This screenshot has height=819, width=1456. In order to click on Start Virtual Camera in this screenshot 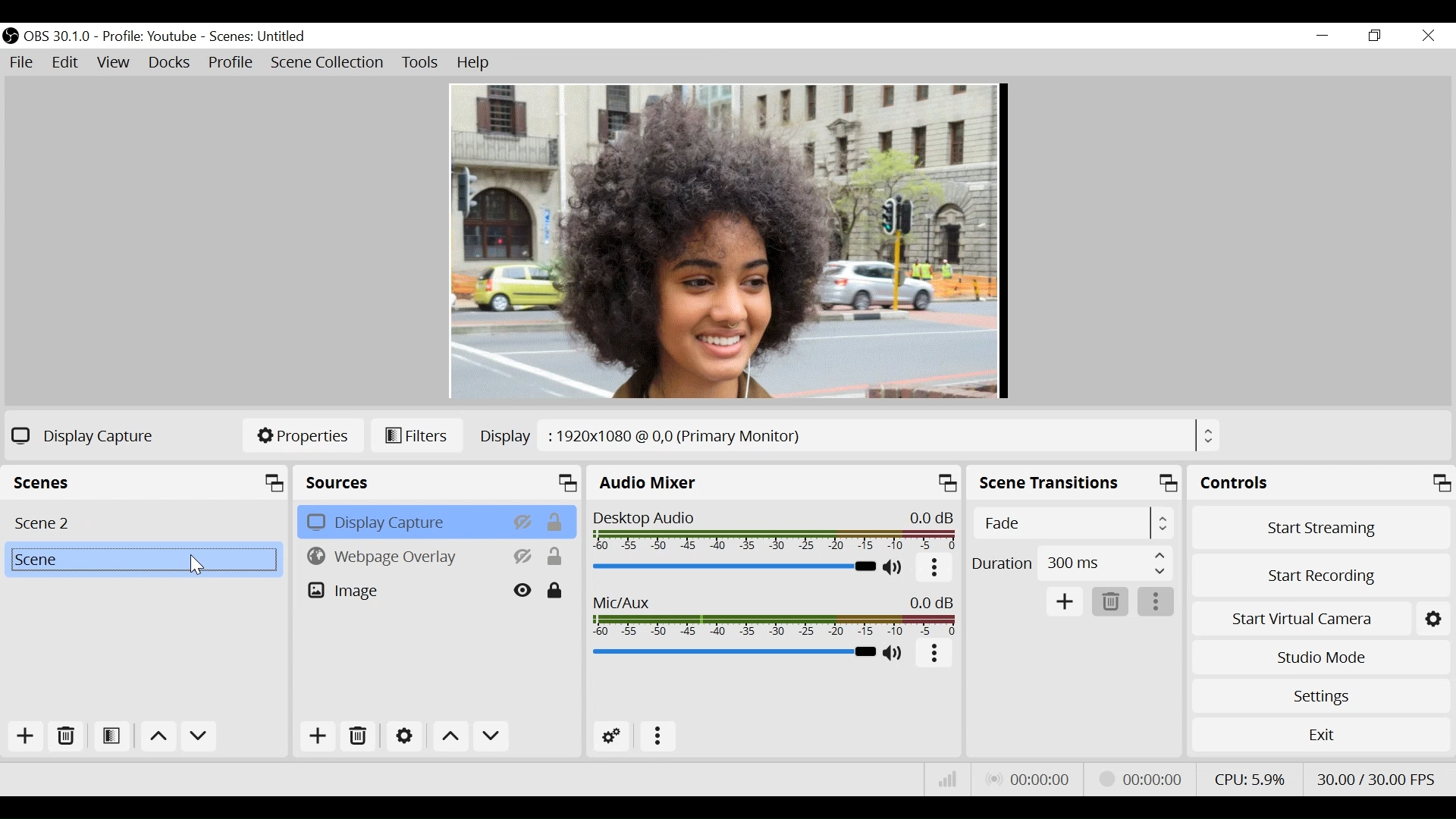, I will do `click(1301, 620)`.